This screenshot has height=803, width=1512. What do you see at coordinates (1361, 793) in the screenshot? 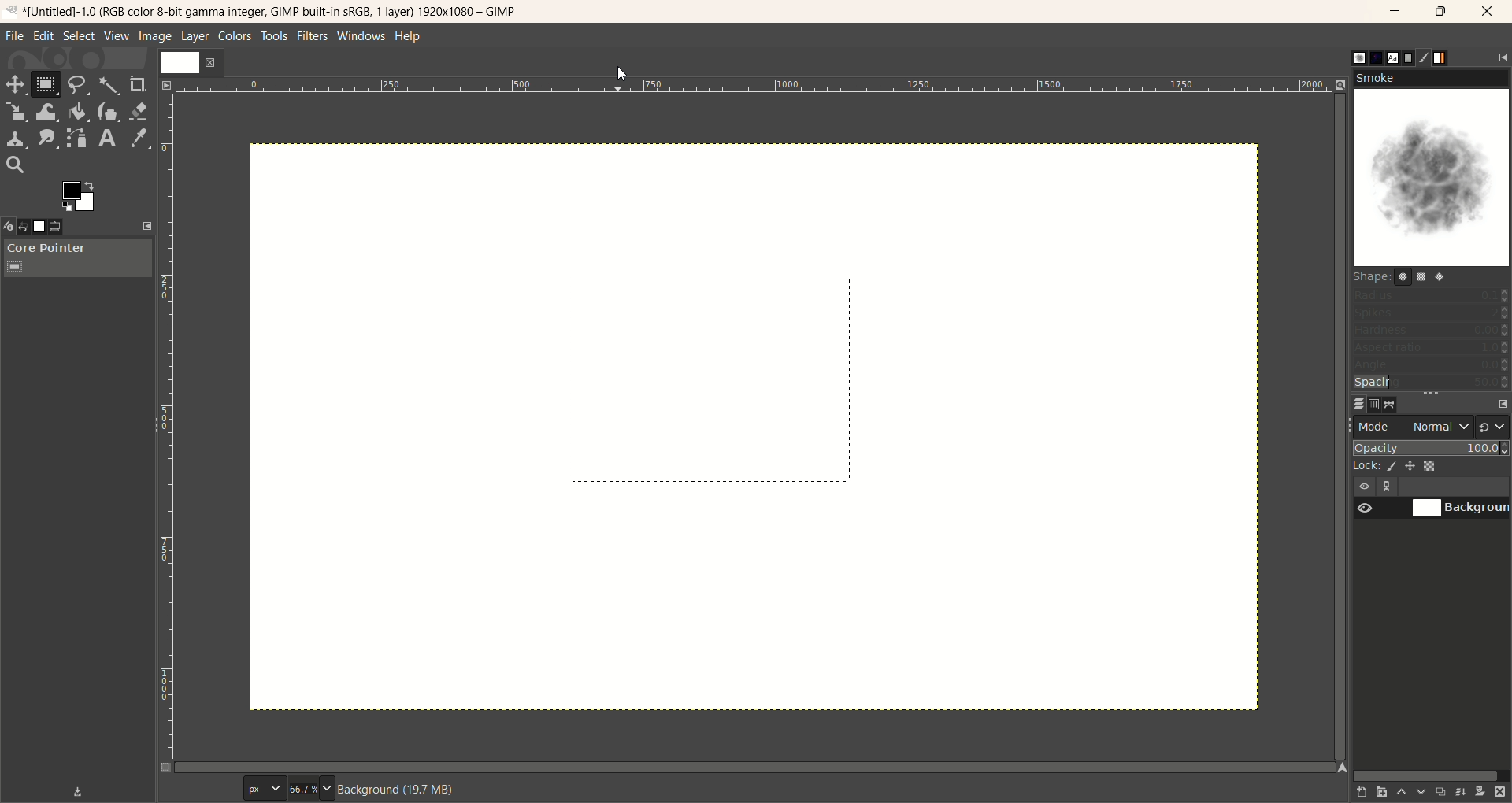
I see `create a new layer with last used values` at bounding box center [1361, 793].